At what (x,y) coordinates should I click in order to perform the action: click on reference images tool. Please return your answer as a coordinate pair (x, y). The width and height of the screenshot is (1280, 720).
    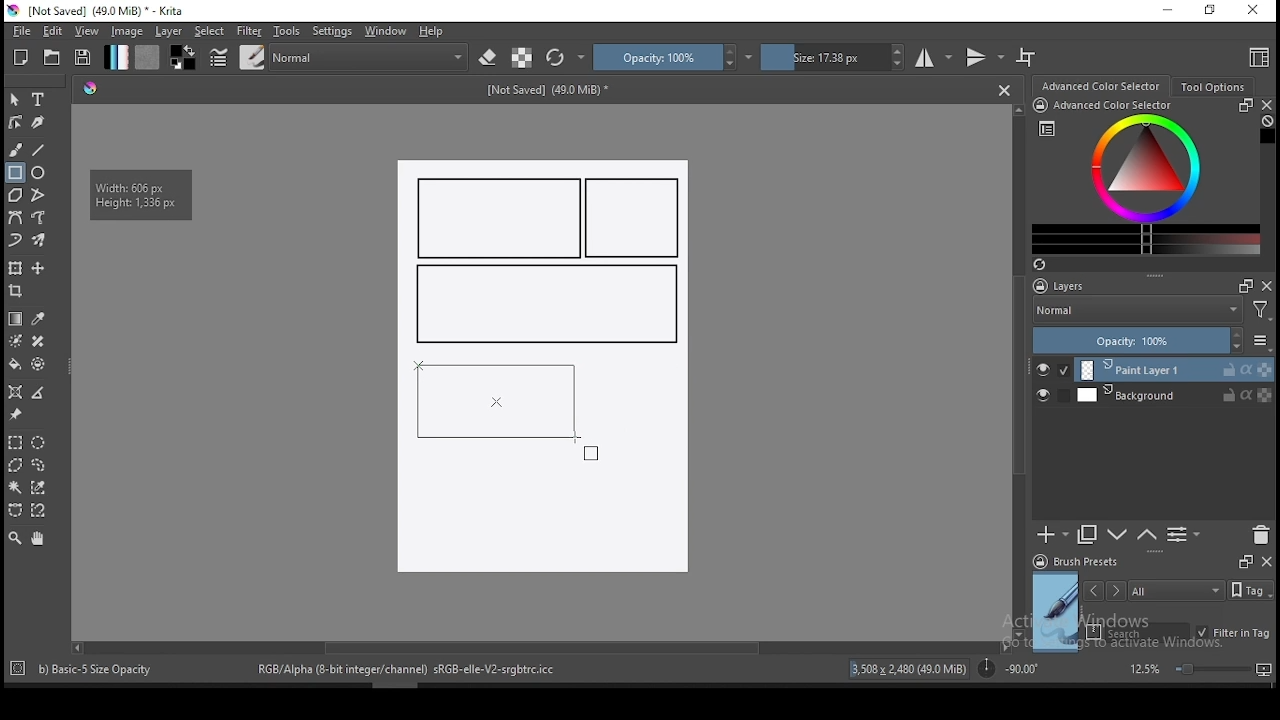
    Looking at the image, I should click on (14, 415).